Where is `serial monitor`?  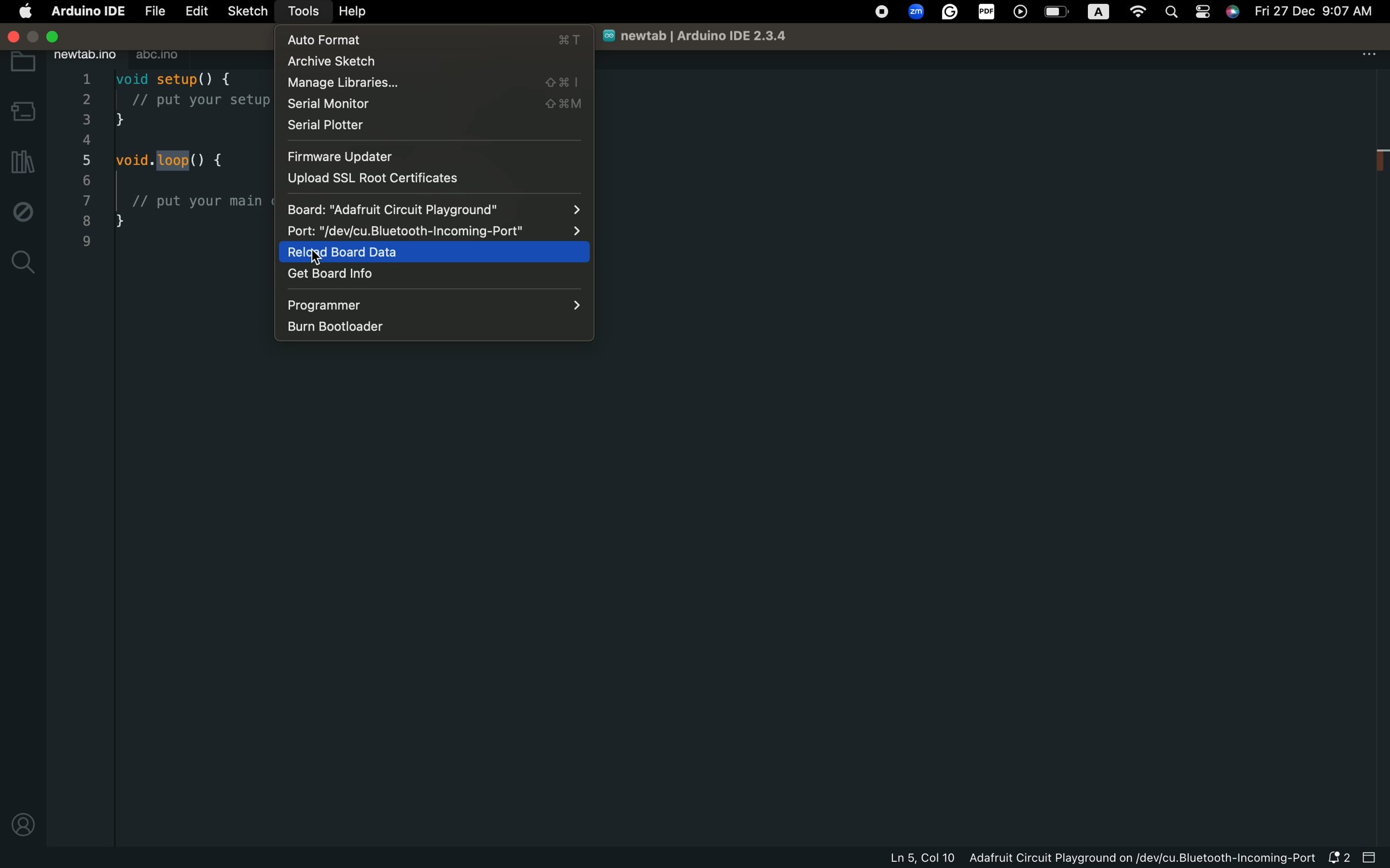
serial monitor is located at coordinates (437, 103).